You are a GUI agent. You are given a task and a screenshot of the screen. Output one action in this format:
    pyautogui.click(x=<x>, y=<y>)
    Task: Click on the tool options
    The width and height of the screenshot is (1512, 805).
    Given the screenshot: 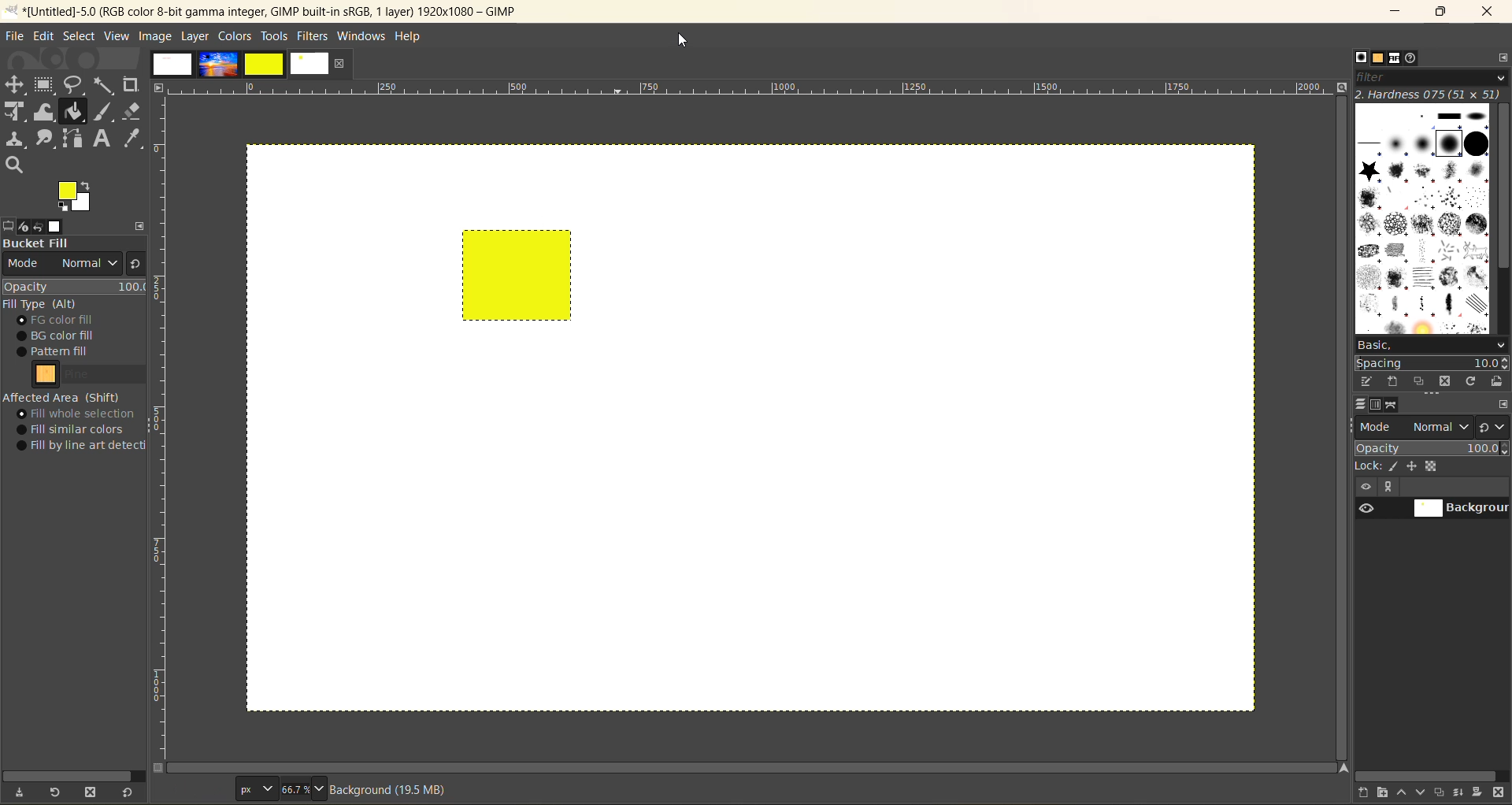 What is the action you would take?
    pyautogui.click(x=9, y=225)
    